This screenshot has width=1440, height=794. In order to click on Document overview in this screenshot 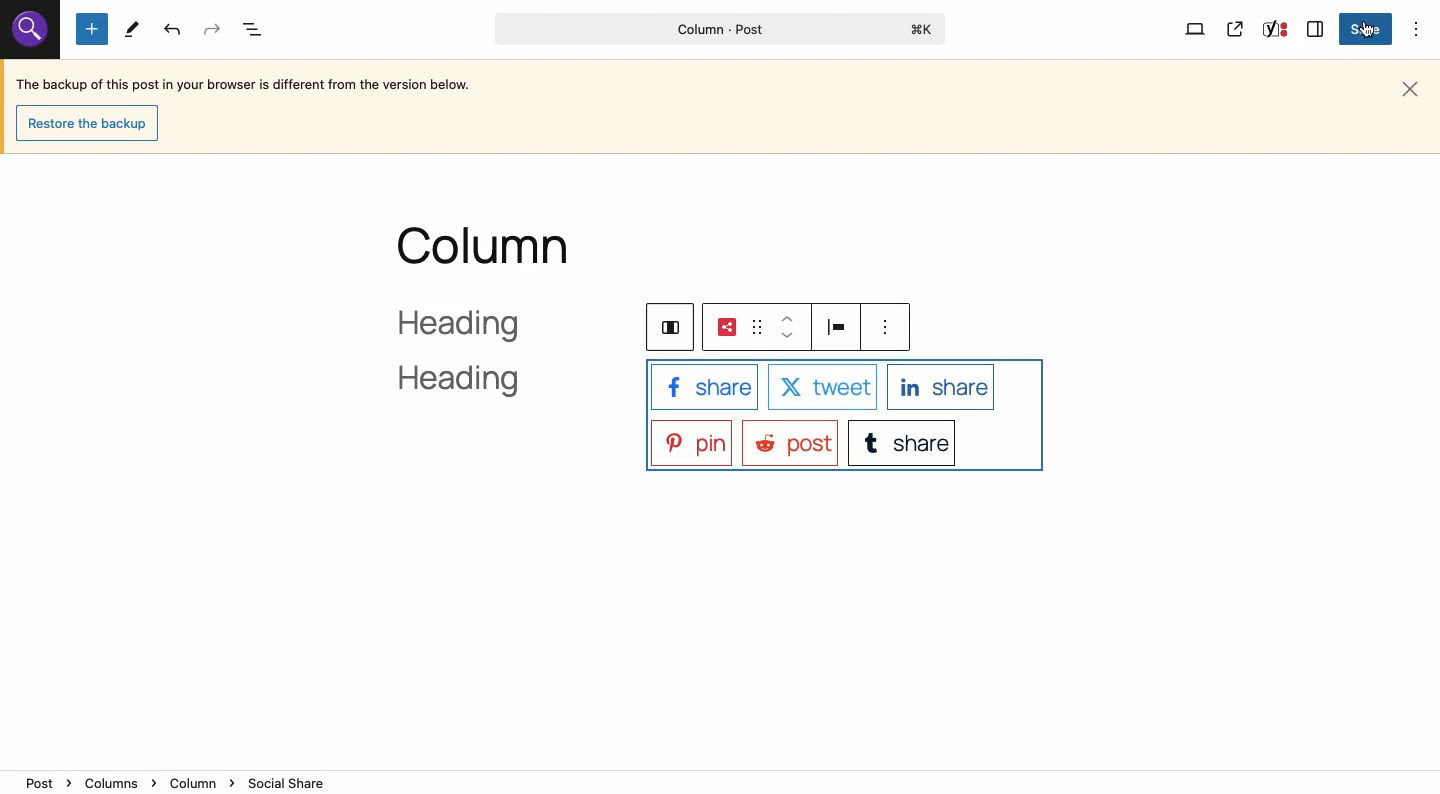, I will do `click(256, 31)`.